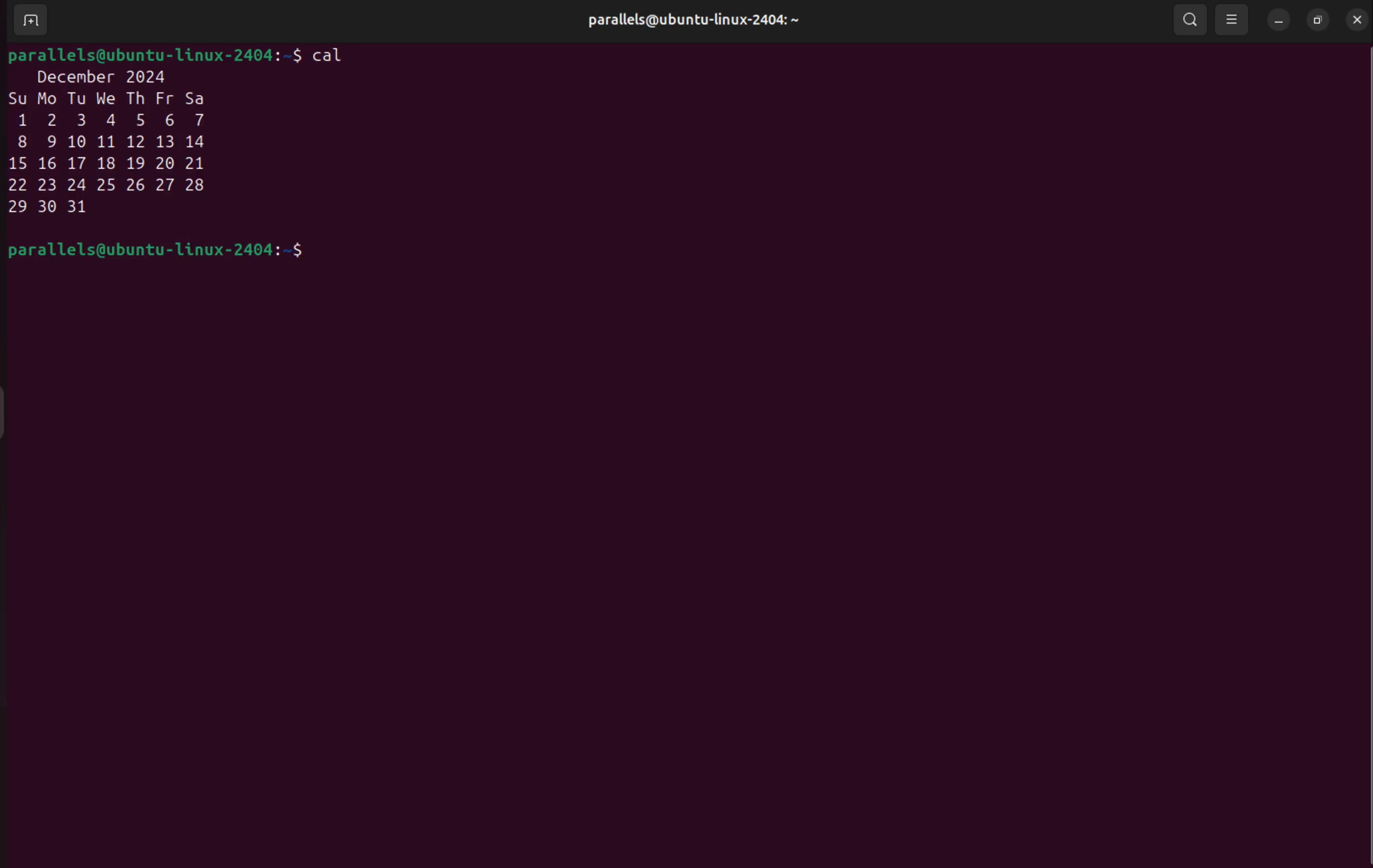 Image resolution: width=1373 pixels, height=868 pixels. I want to click on search, so click(1191, 21).